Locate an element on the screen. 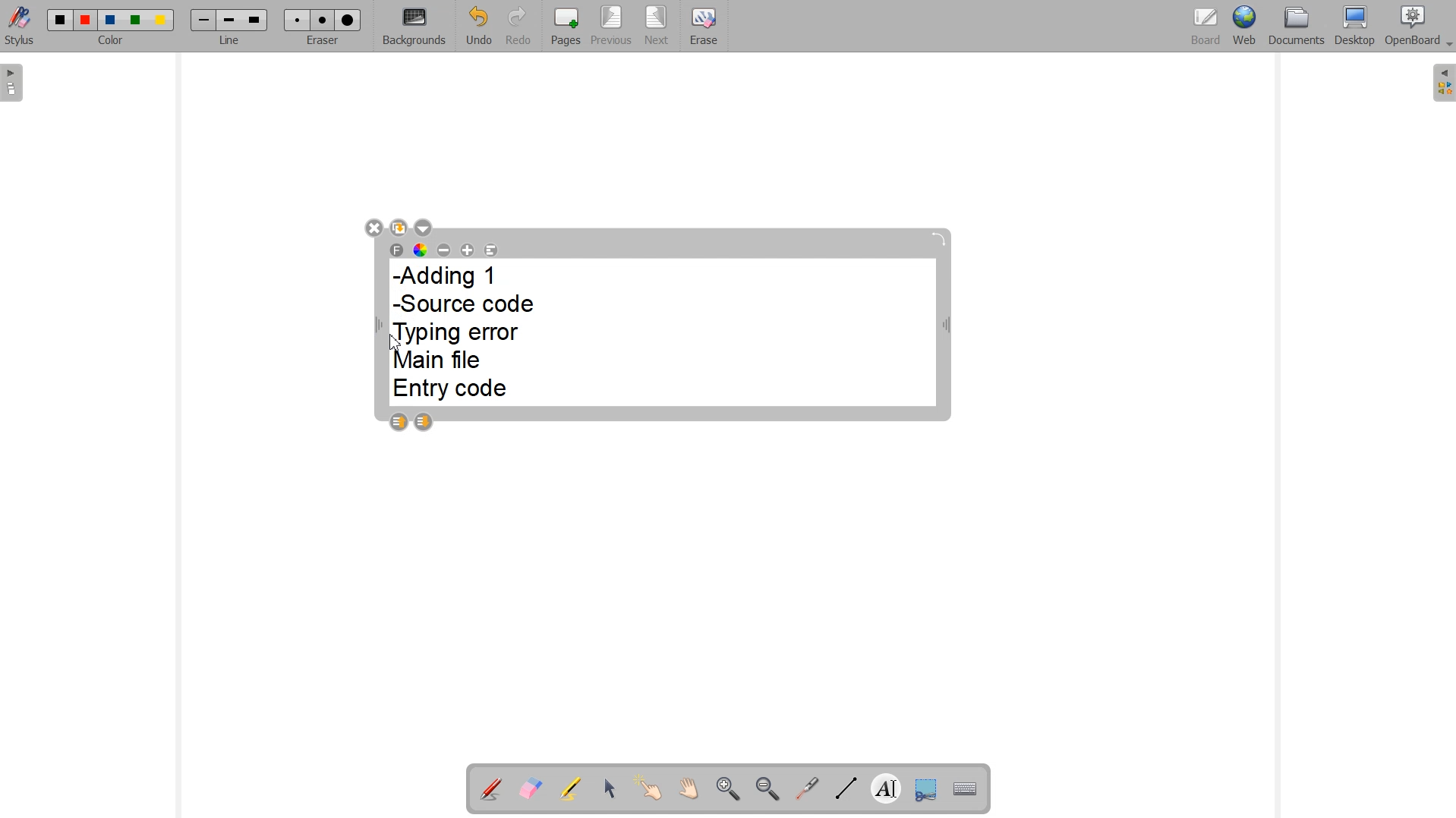 The height and width of the screenshot is (818, 1456). Color 3 is located at coordinates (110, 20).